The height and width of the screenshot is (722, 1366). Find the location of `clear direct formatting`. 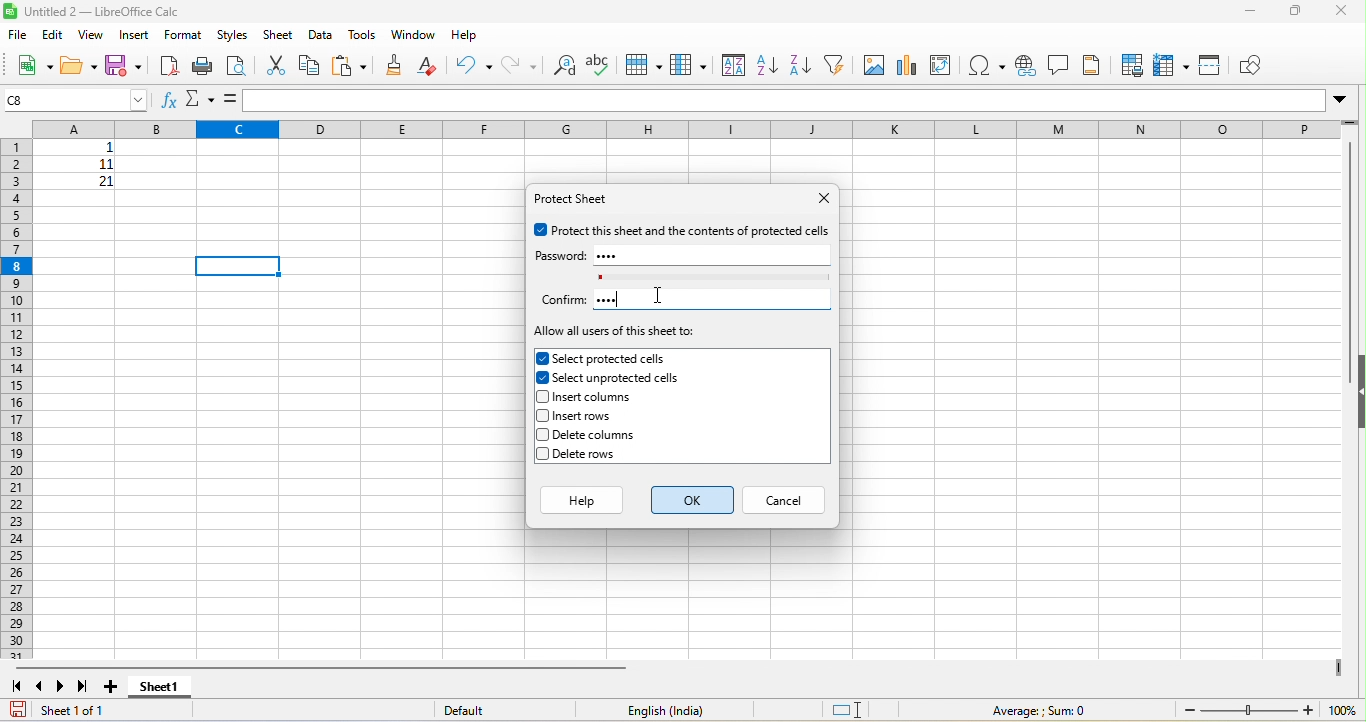

clear direct formatting is located at coordinates (432, 66).